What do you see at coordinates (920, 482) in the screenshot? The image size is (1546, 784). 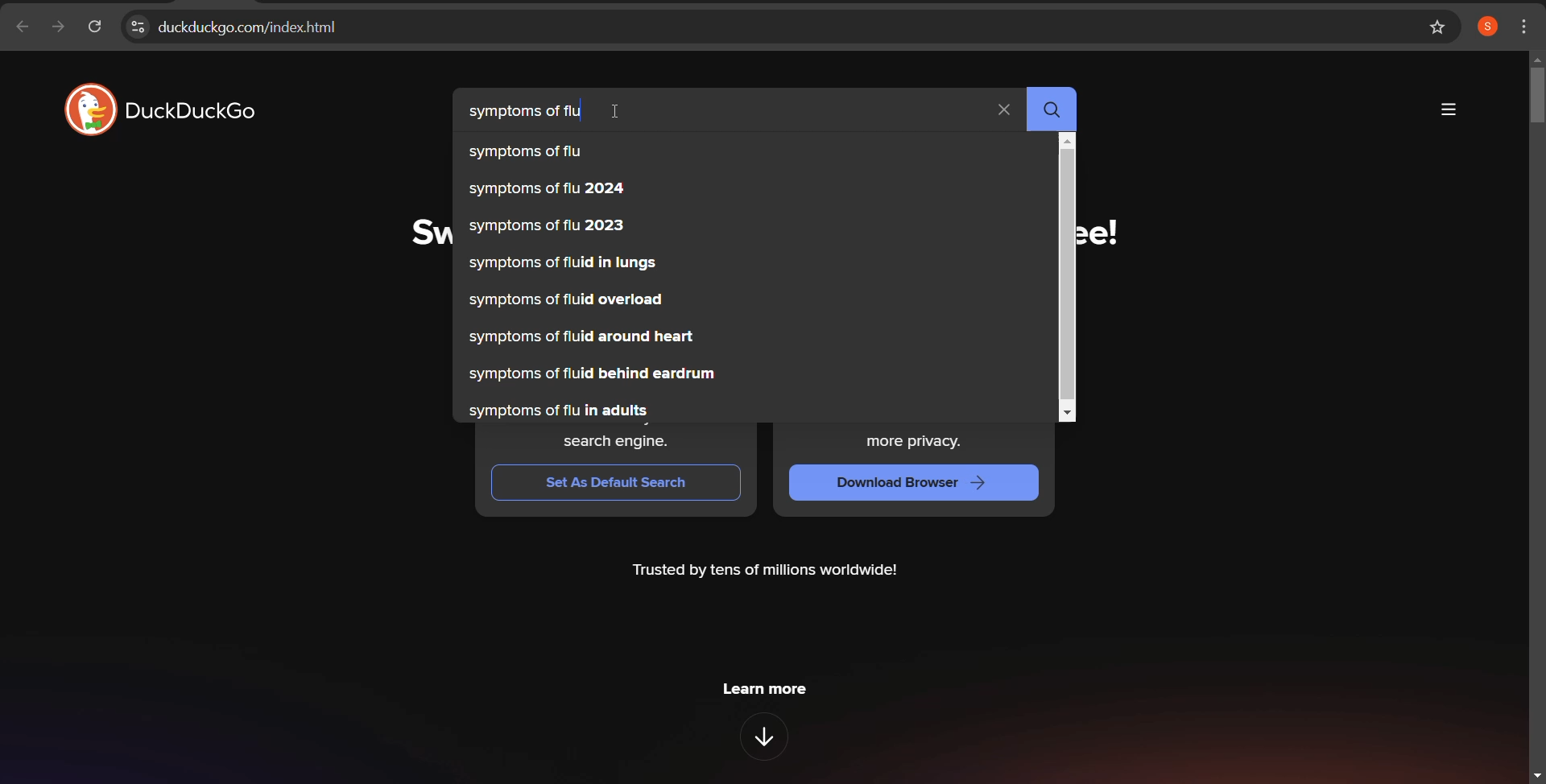 I see `download browser` at bounding box center [920, 482].